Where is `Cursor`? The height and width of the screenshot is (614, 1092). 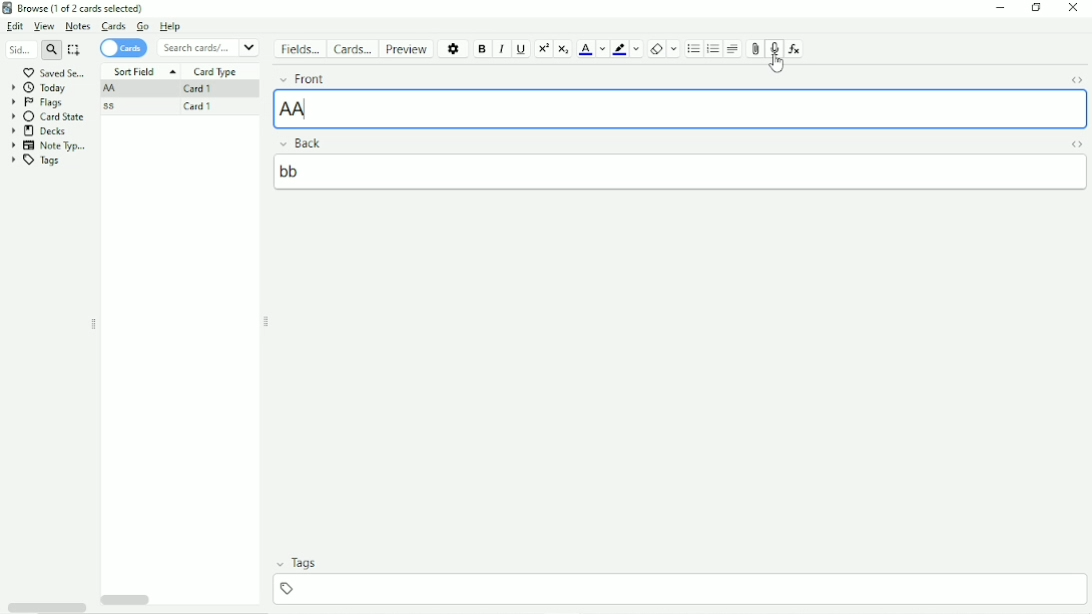
Cursor is located at coordinates (777, 67).